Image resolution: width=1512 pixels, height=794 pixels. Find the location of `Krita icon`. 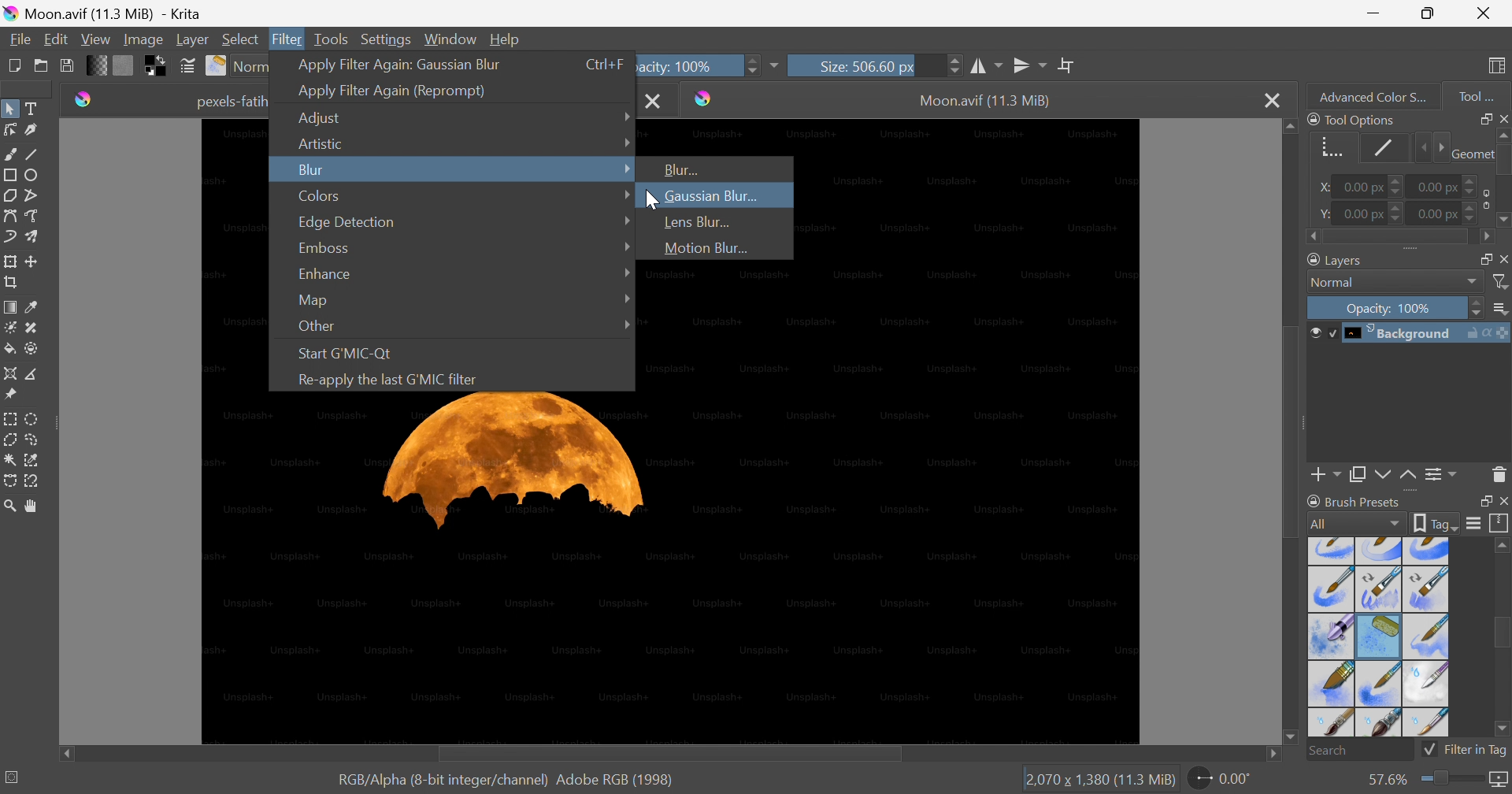

Krita icon is located at coordinates (707, 98).